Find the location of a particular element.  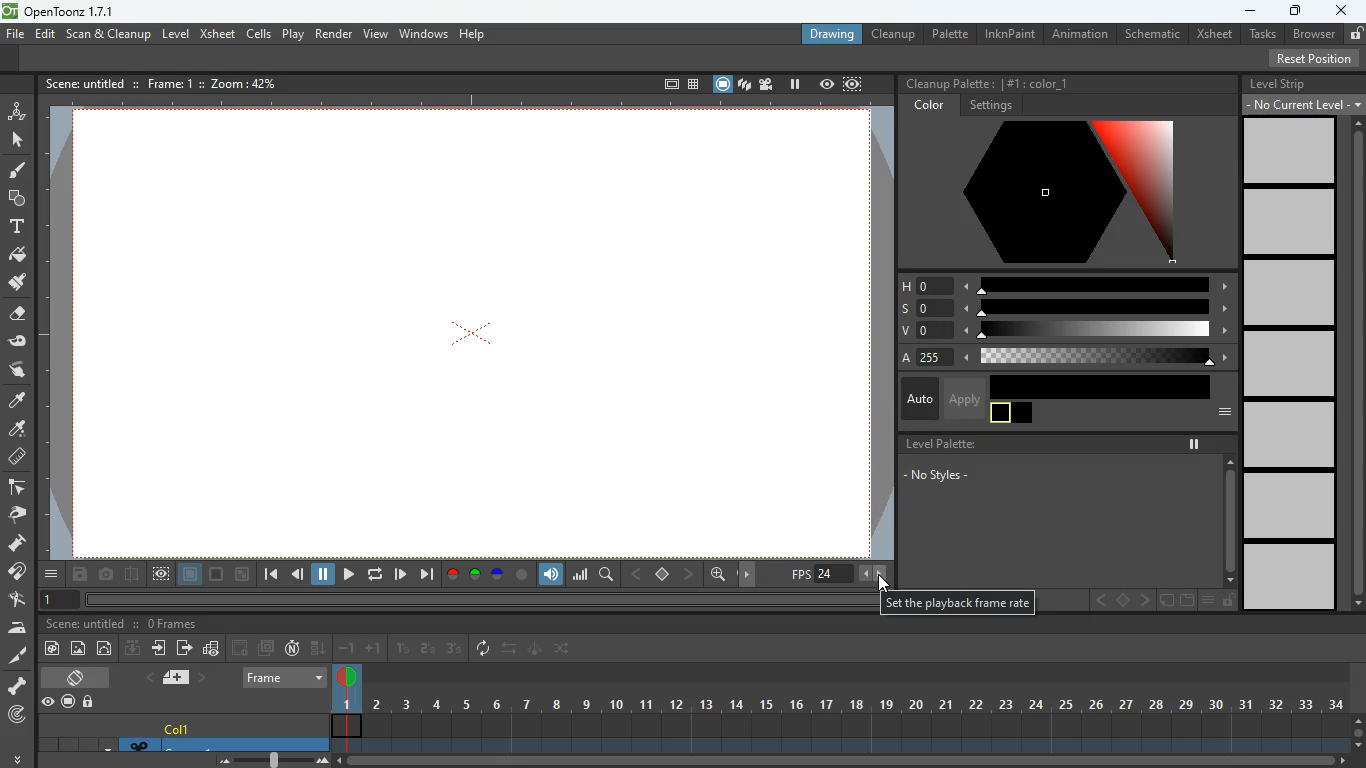

level is located at coordinates (1291, 292).